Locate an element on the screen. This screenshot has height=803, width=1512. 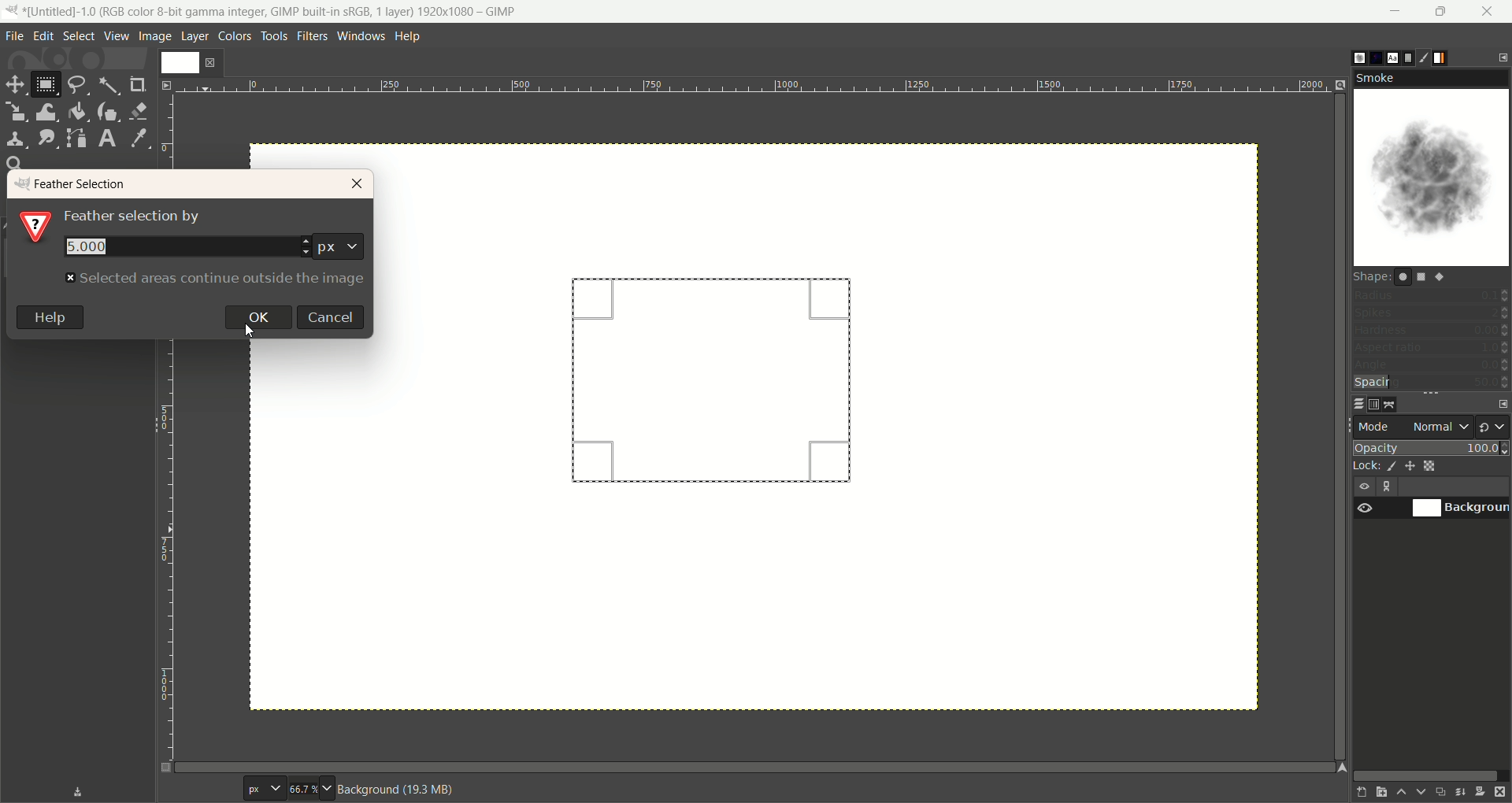
normal is located at coordinates (1435, 426).